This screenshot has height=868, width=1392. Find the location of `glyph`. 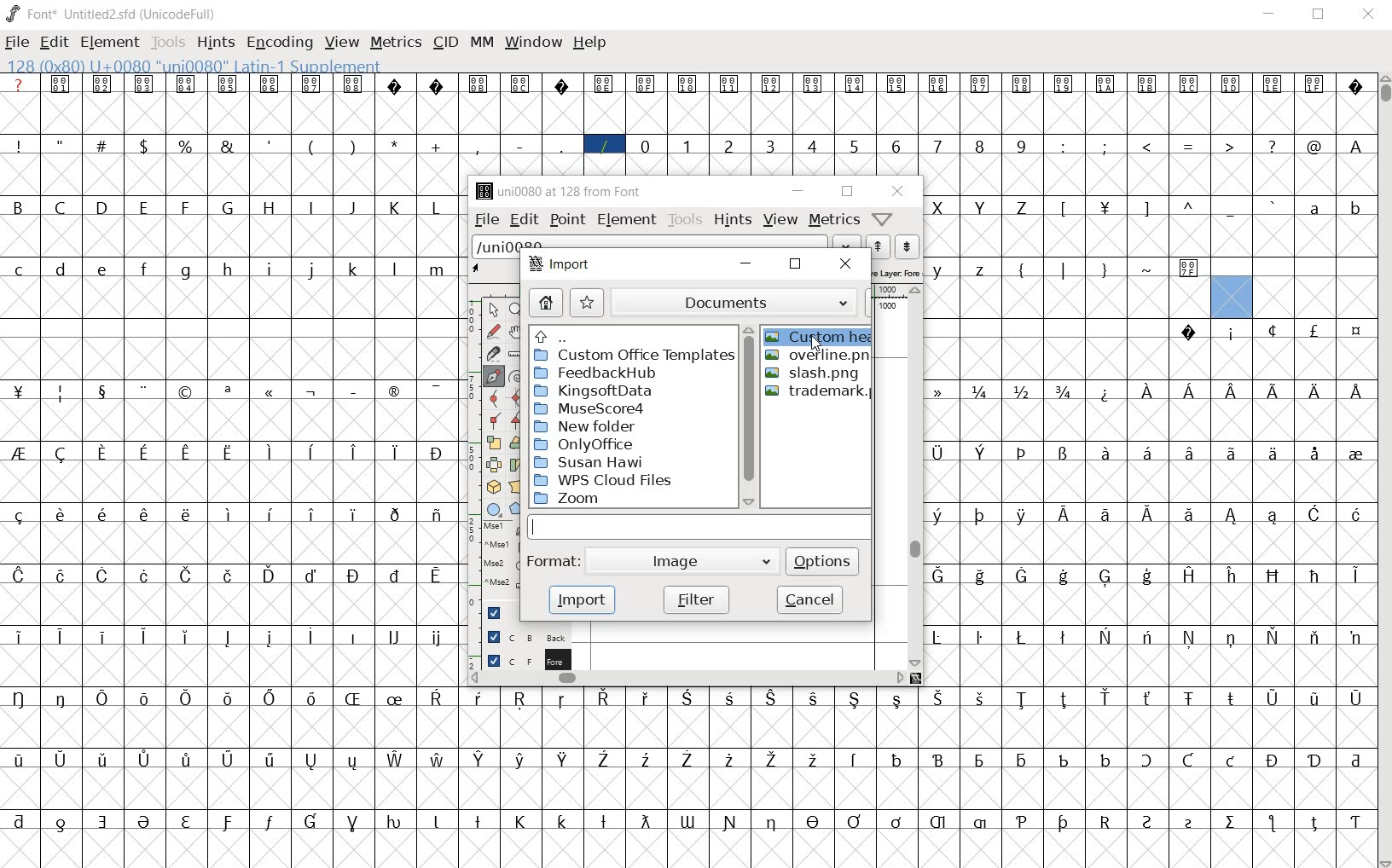

glyph is located at coordinates (896, 147).